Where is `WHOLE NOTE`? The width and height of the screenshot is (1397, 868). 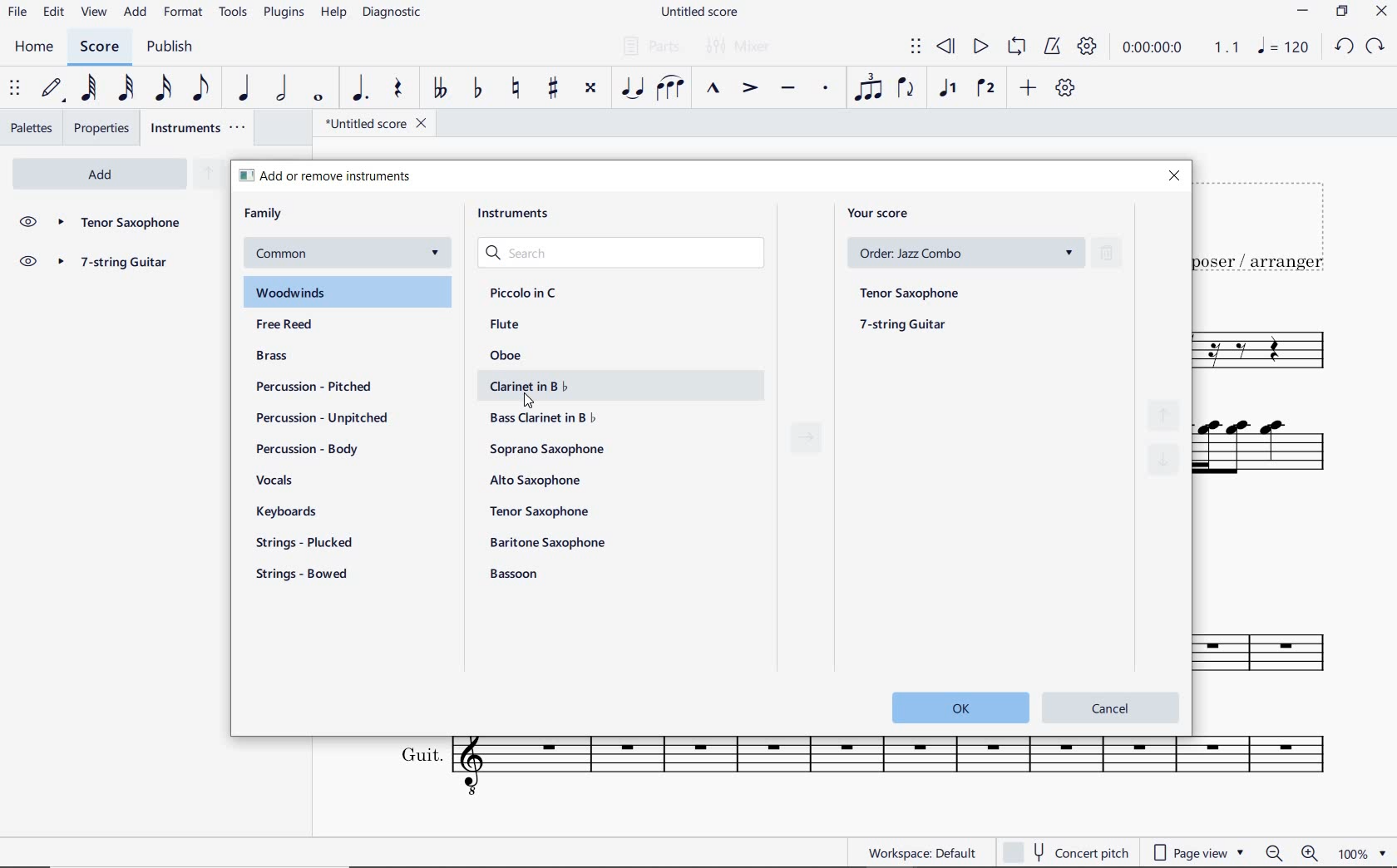
WHOLE NOTE is located at coordinates (320, 99).